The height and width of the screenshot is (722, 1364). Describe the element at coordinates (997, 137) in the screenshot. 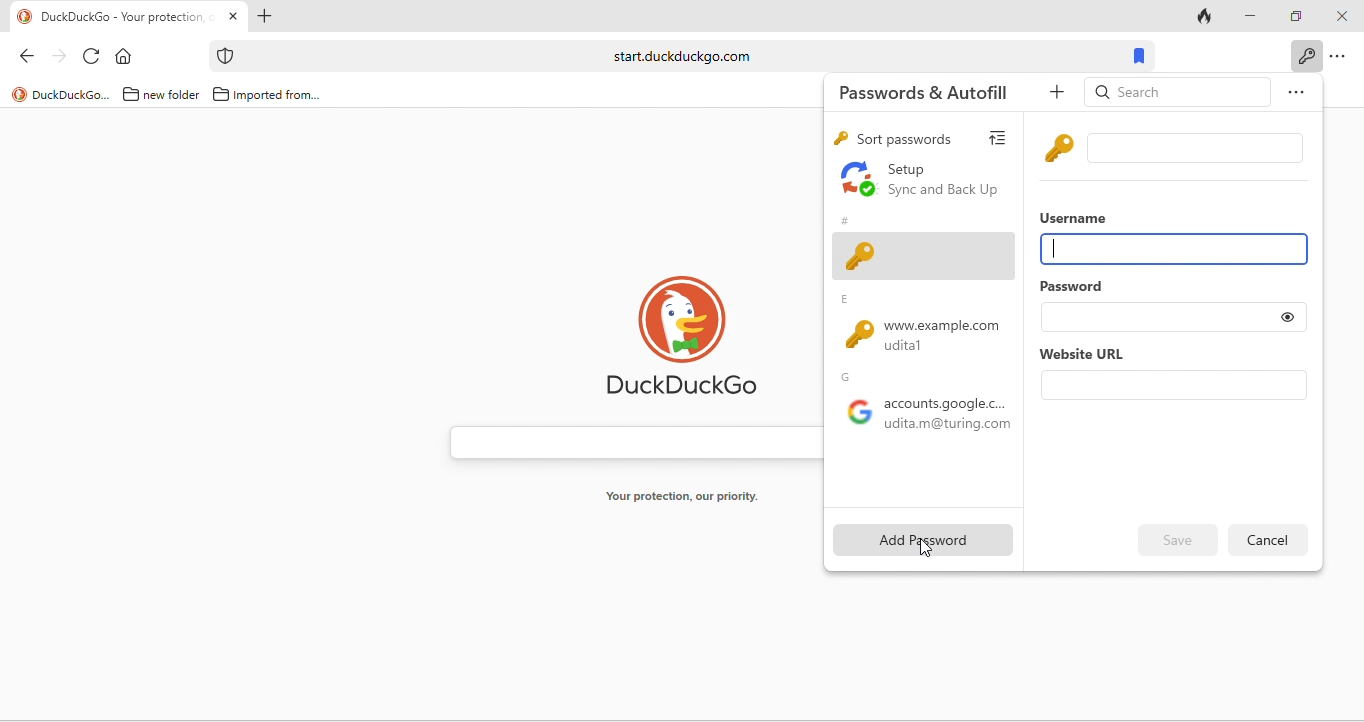

I see `view` at that location.